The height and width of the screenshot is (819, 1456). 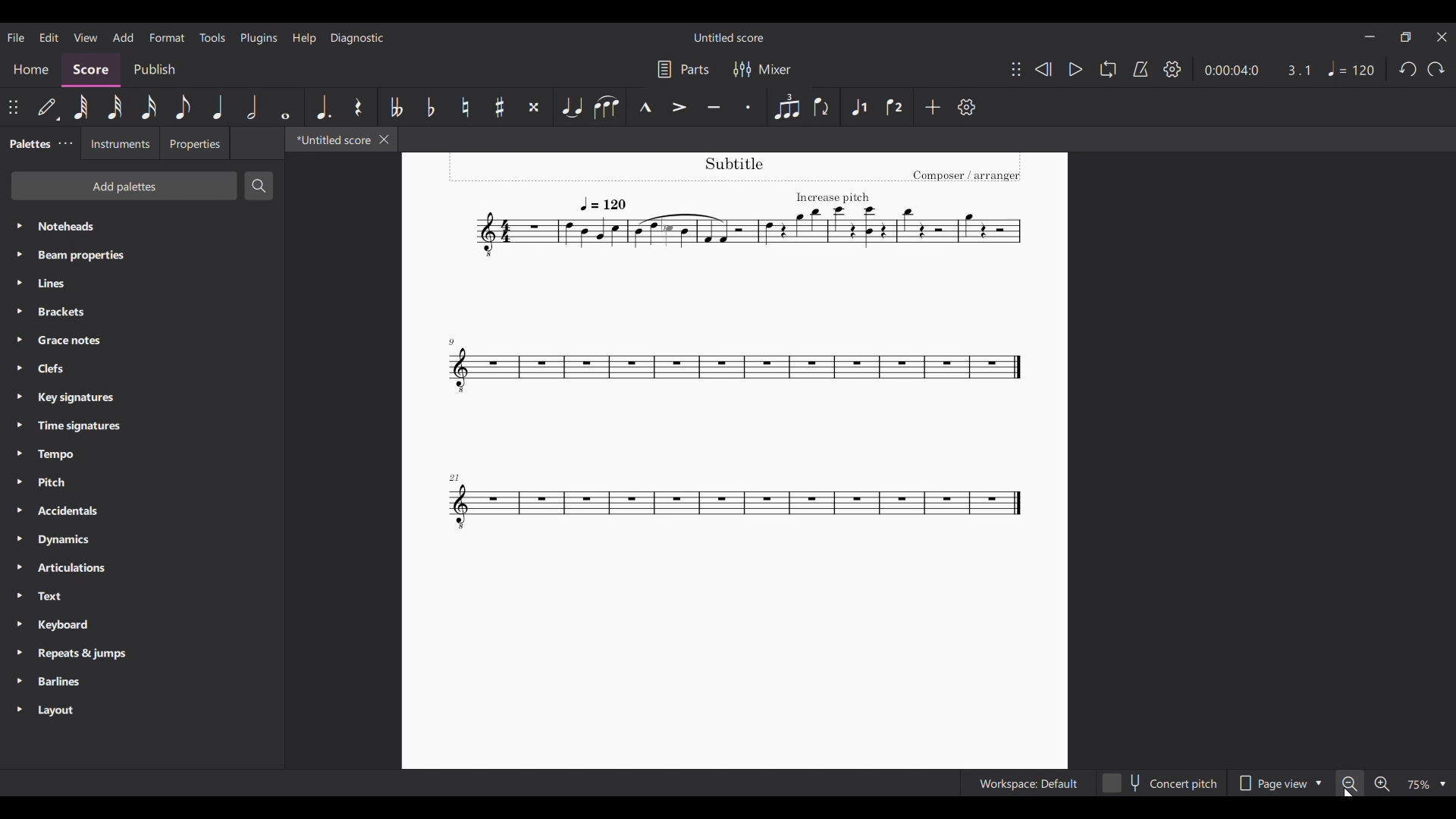 I want to click on Properties, so click(x=196, y=143).